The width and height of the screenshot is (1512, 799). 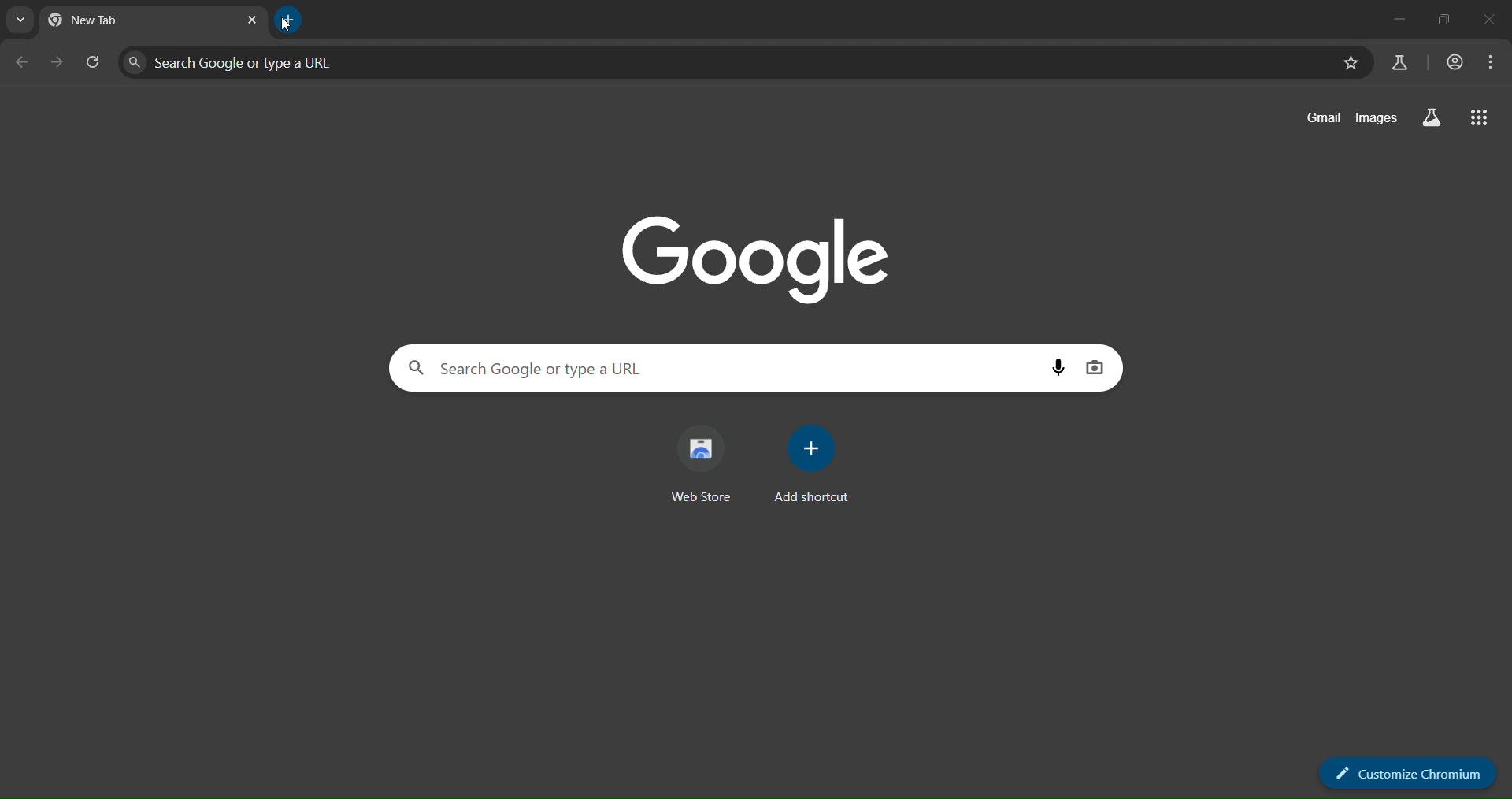 I want to click on customize chromium, so click(x=1410, y=773).